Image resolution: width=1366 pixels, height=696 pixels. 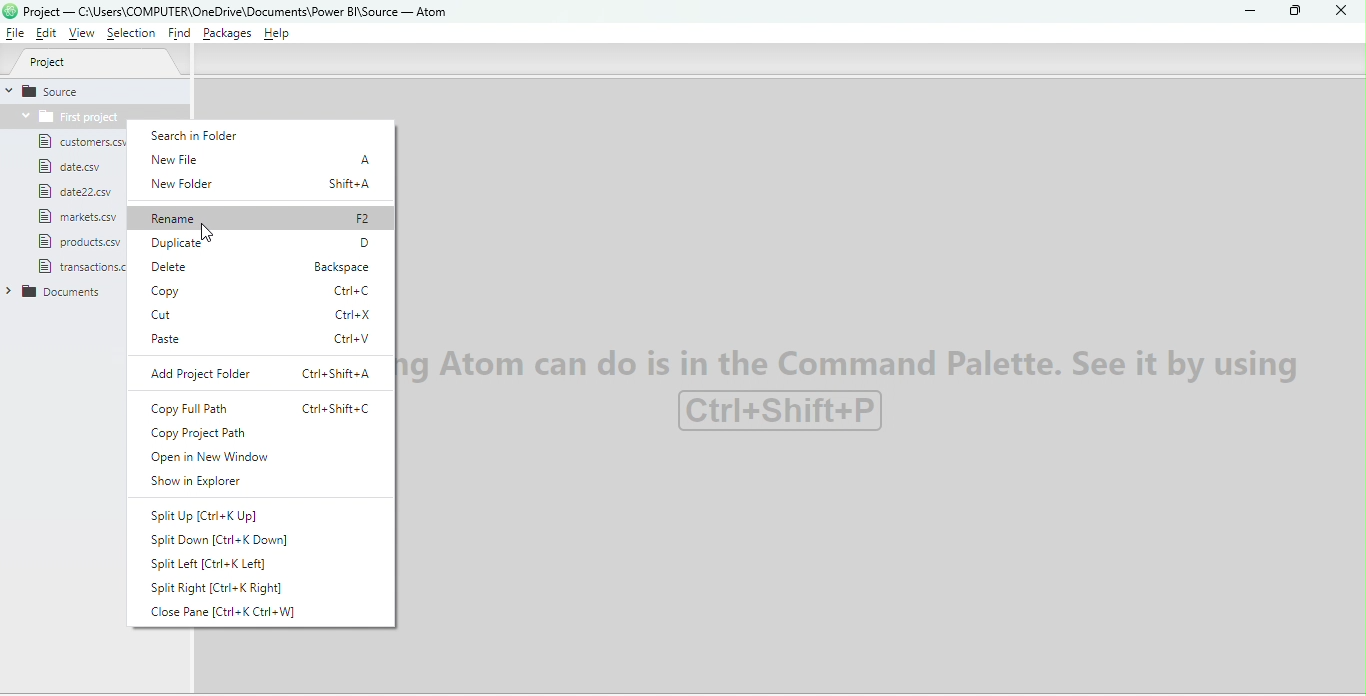 What do you see at coordinates (281, 35) in the screenshot?
I see `Help` at bounding box center [281, 35].